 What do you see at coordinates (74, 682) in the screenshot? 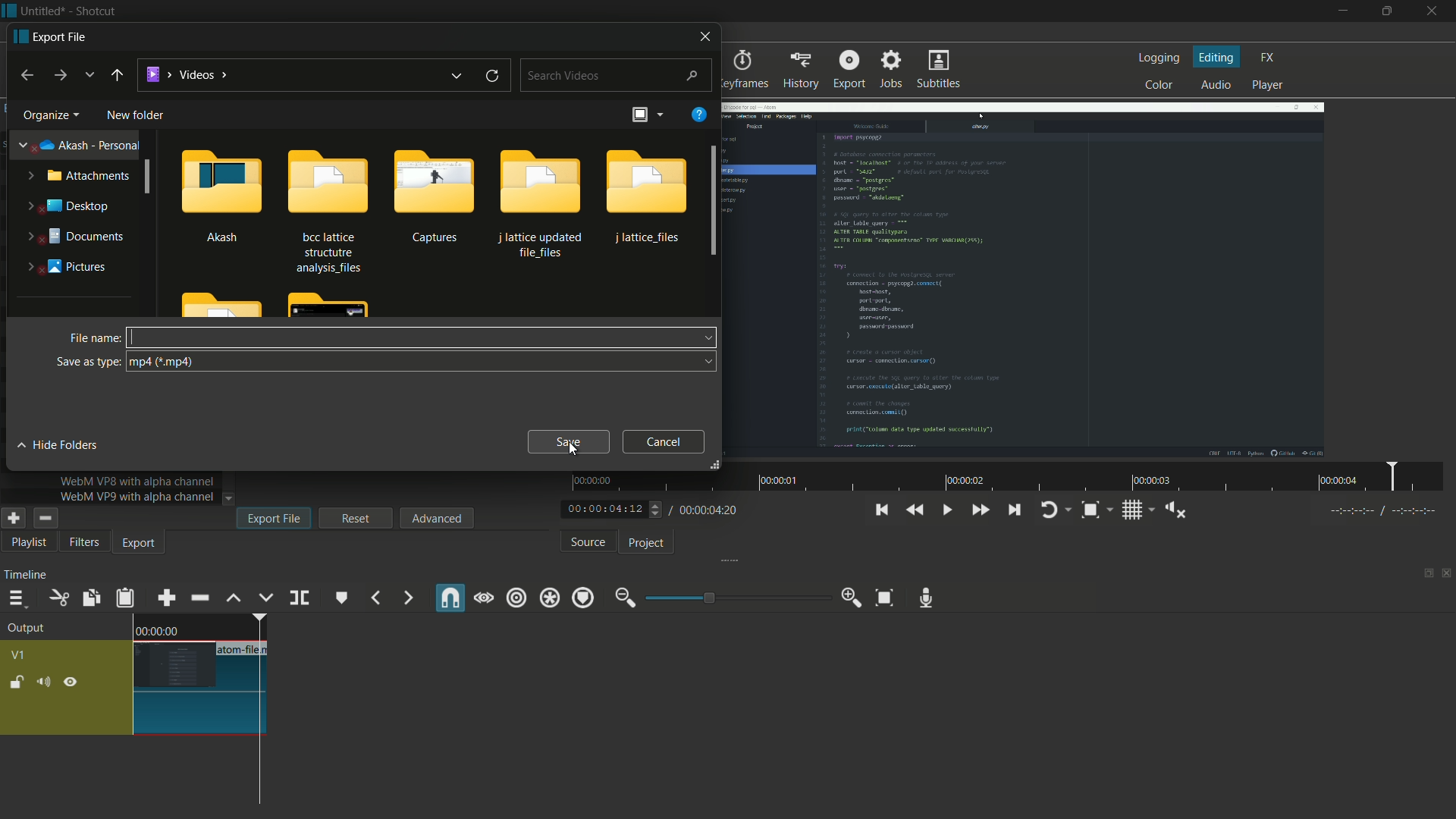
I see `hide` at bounding box center [74, 682].